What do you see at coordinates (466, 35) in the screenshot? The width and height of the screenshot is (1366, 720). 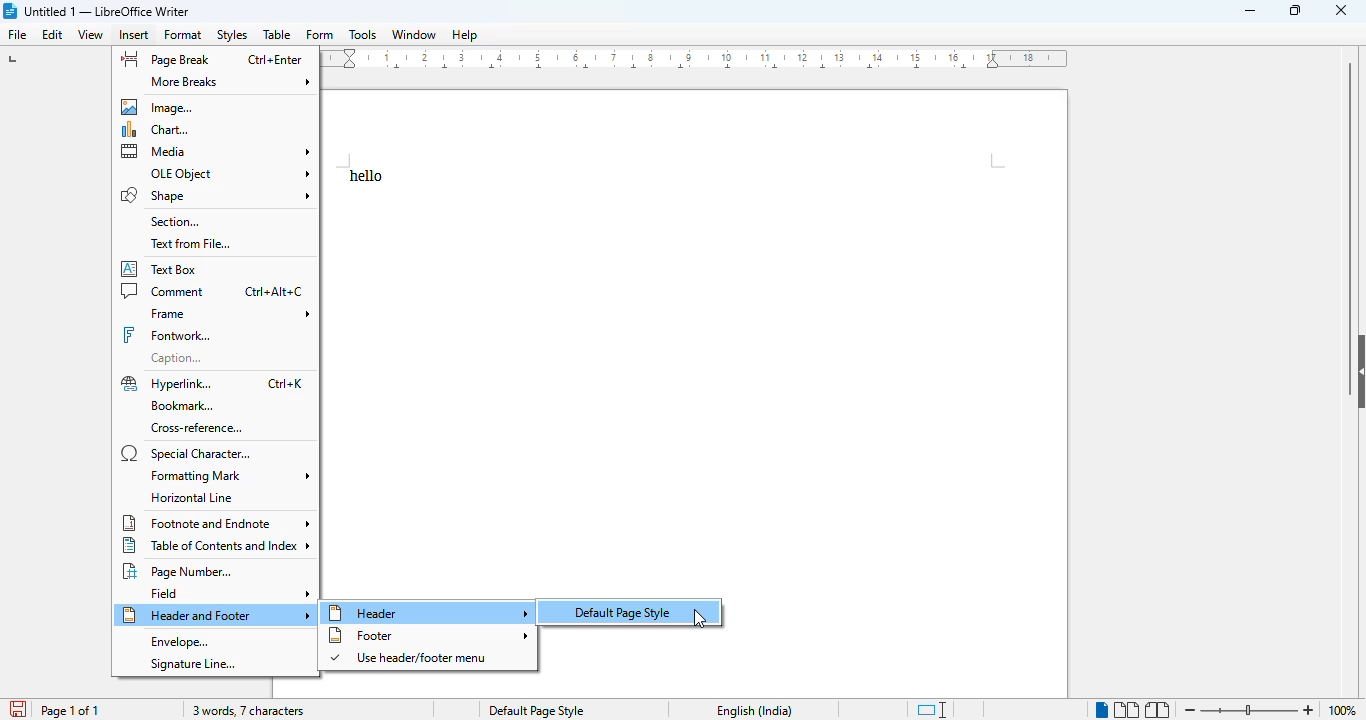 I see `help` at bounding box center [466, 35].